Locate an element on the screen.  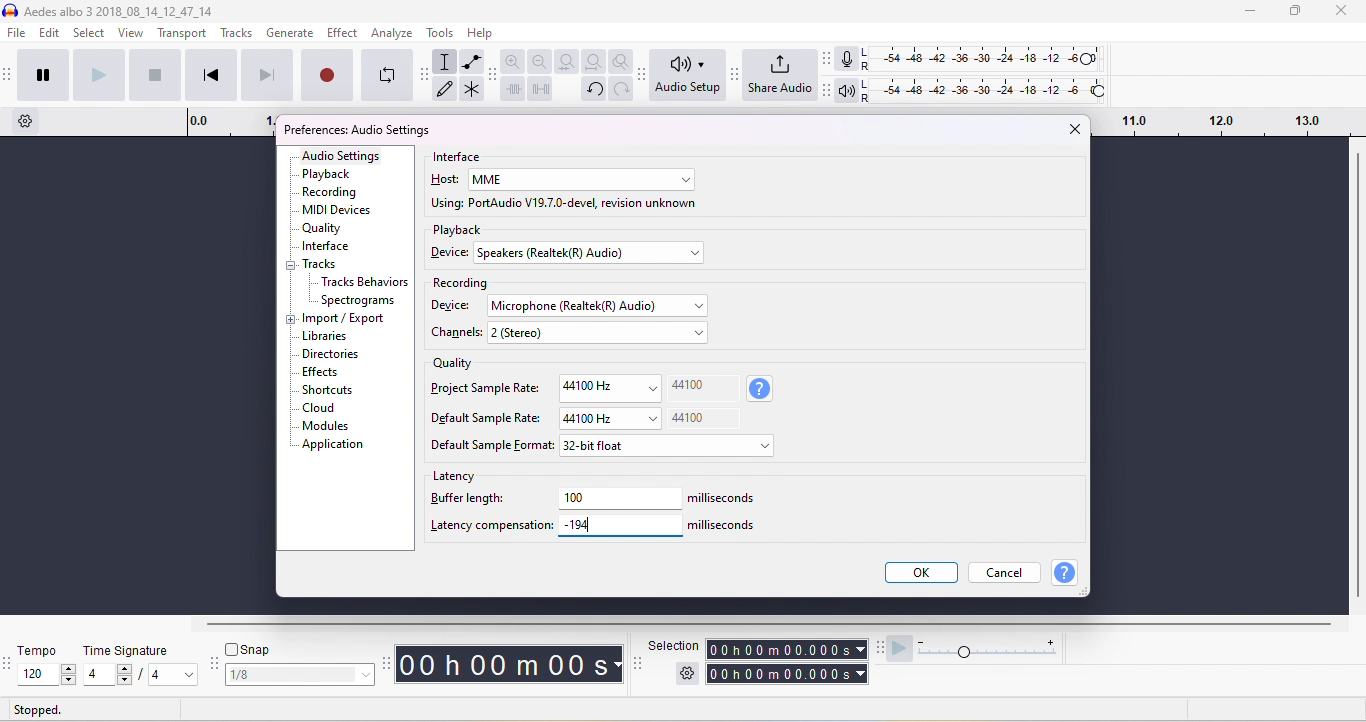
44100 is located at coordinates (689, 384).